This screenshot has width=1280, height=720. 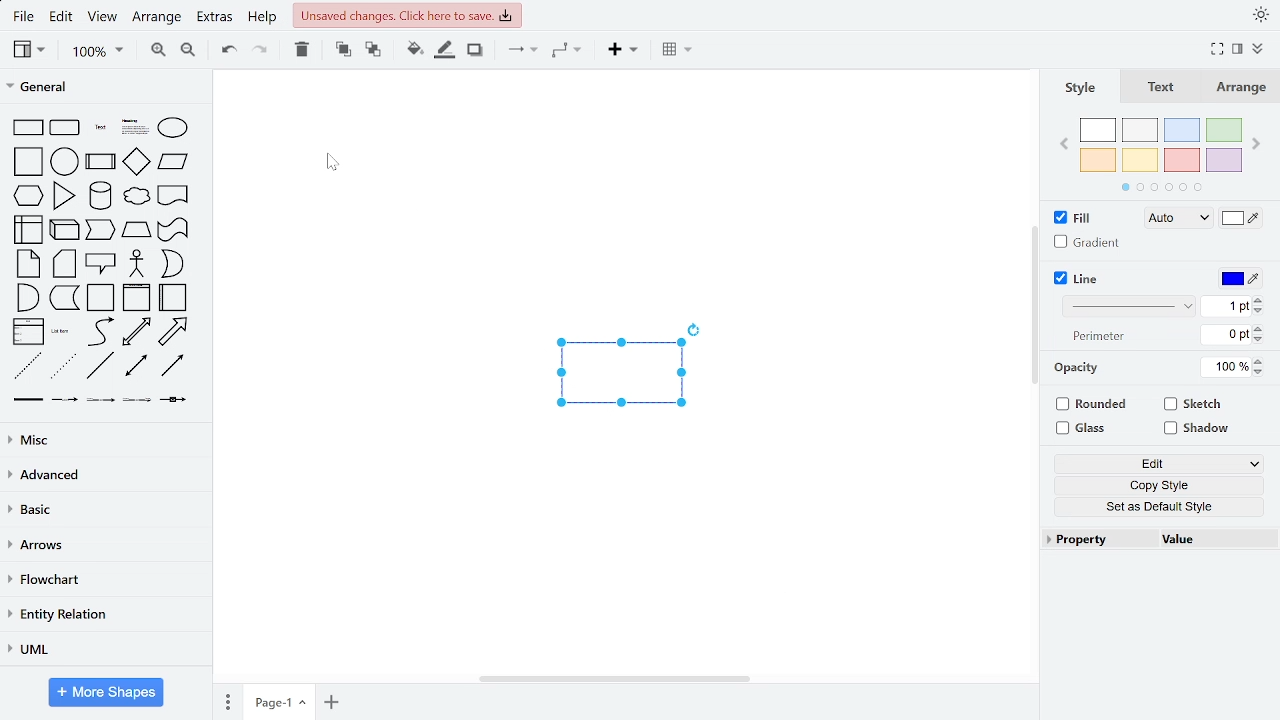 I want to click on sketch, so click(x=1192, y=406).